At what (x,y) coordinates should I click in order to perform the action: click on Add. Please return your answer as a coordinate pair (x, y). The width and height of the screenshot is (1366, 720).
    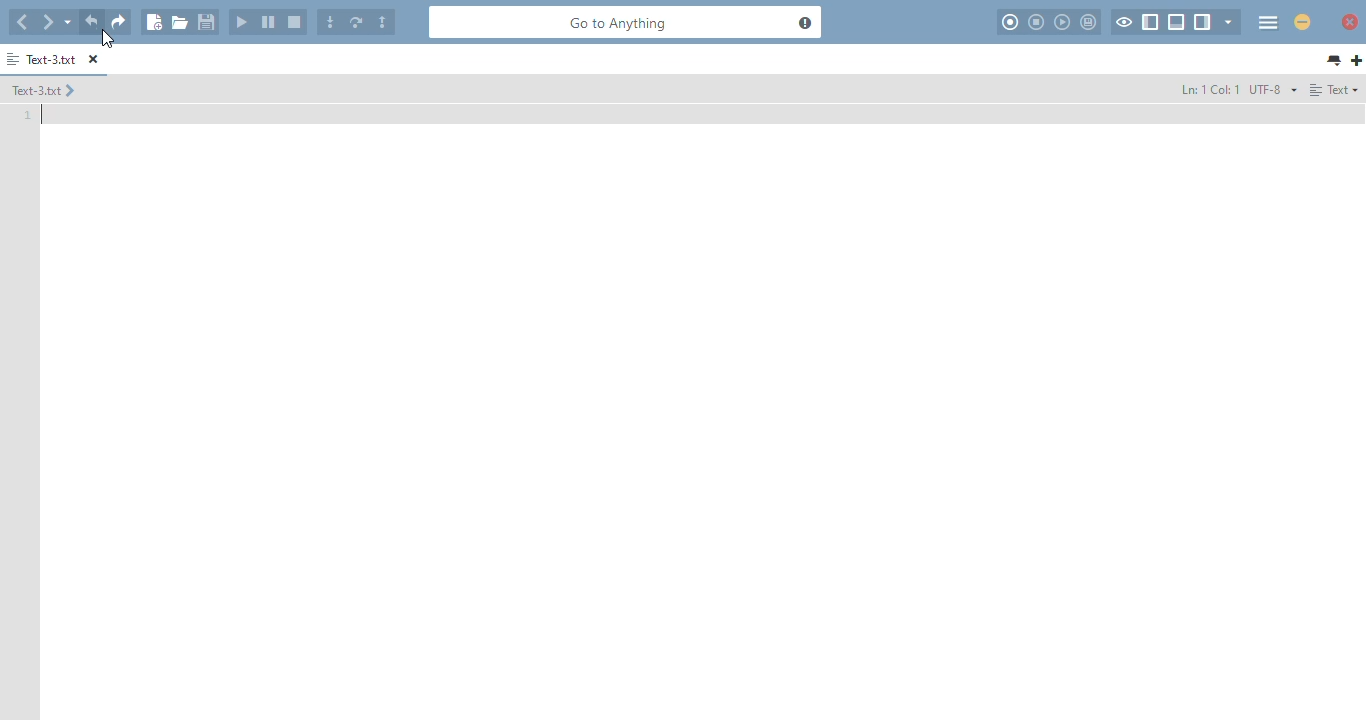
    Looking at the image, I should click on (1357, 61).